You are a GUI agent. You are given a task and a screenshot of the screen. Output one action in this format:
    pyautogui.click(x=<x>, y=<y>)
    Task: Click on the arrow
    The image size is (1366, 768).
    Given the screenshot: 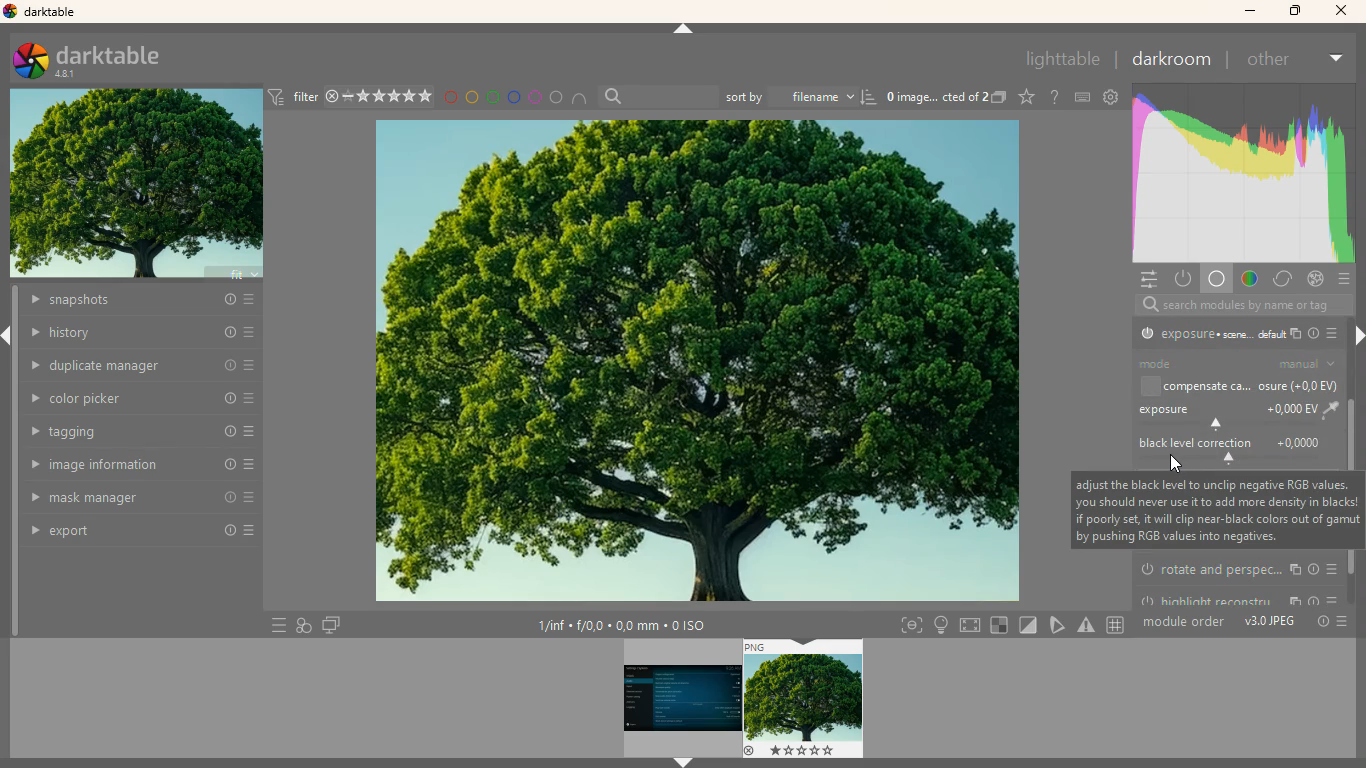 What is the action you would take?
    pyautogui.click(x=9, y=338)
    